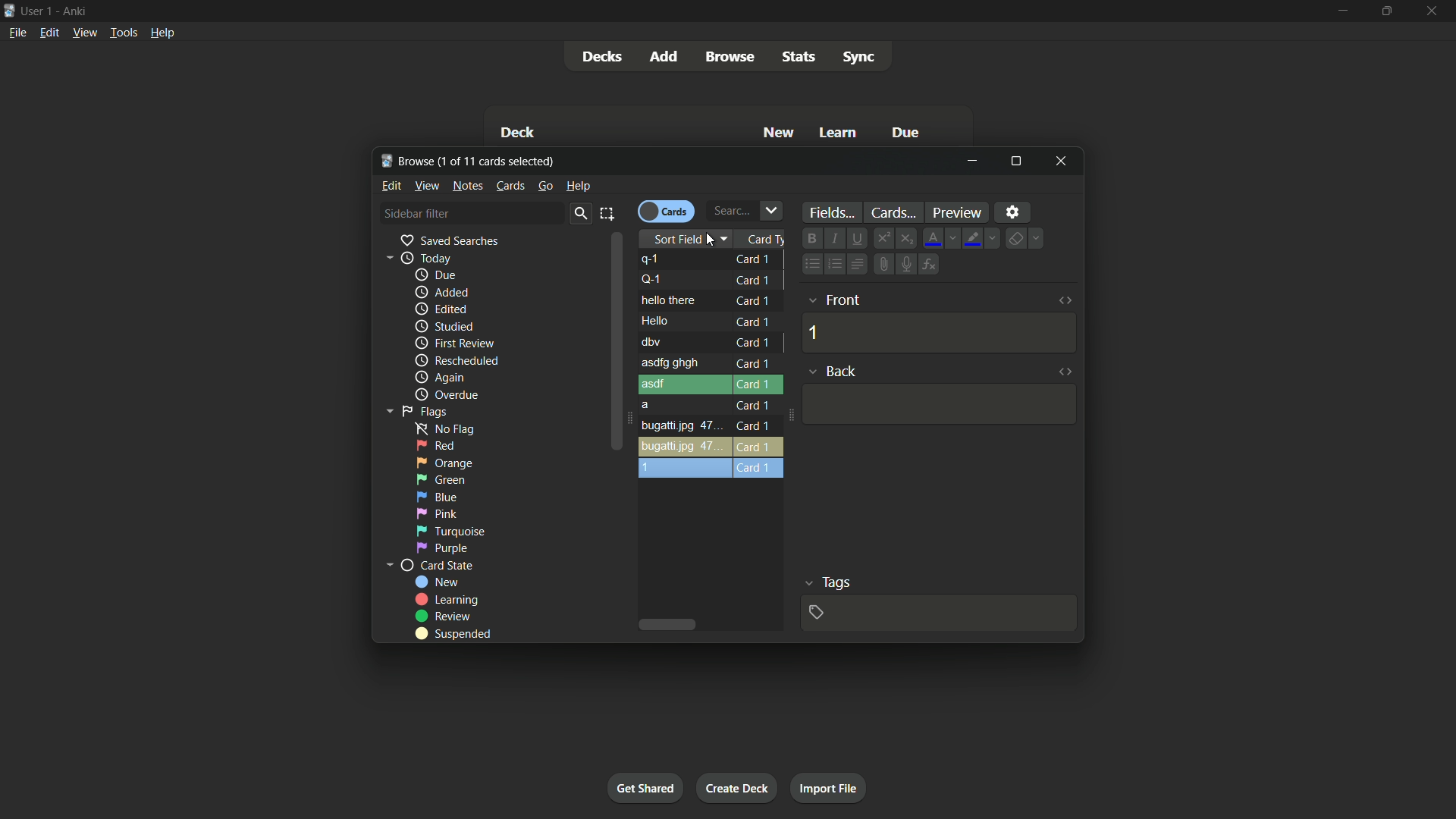 This screenshot has width=1456, height=819. Describe the element at coordinates (49, 32) in the screenshot. I see `edit menu` at that location.